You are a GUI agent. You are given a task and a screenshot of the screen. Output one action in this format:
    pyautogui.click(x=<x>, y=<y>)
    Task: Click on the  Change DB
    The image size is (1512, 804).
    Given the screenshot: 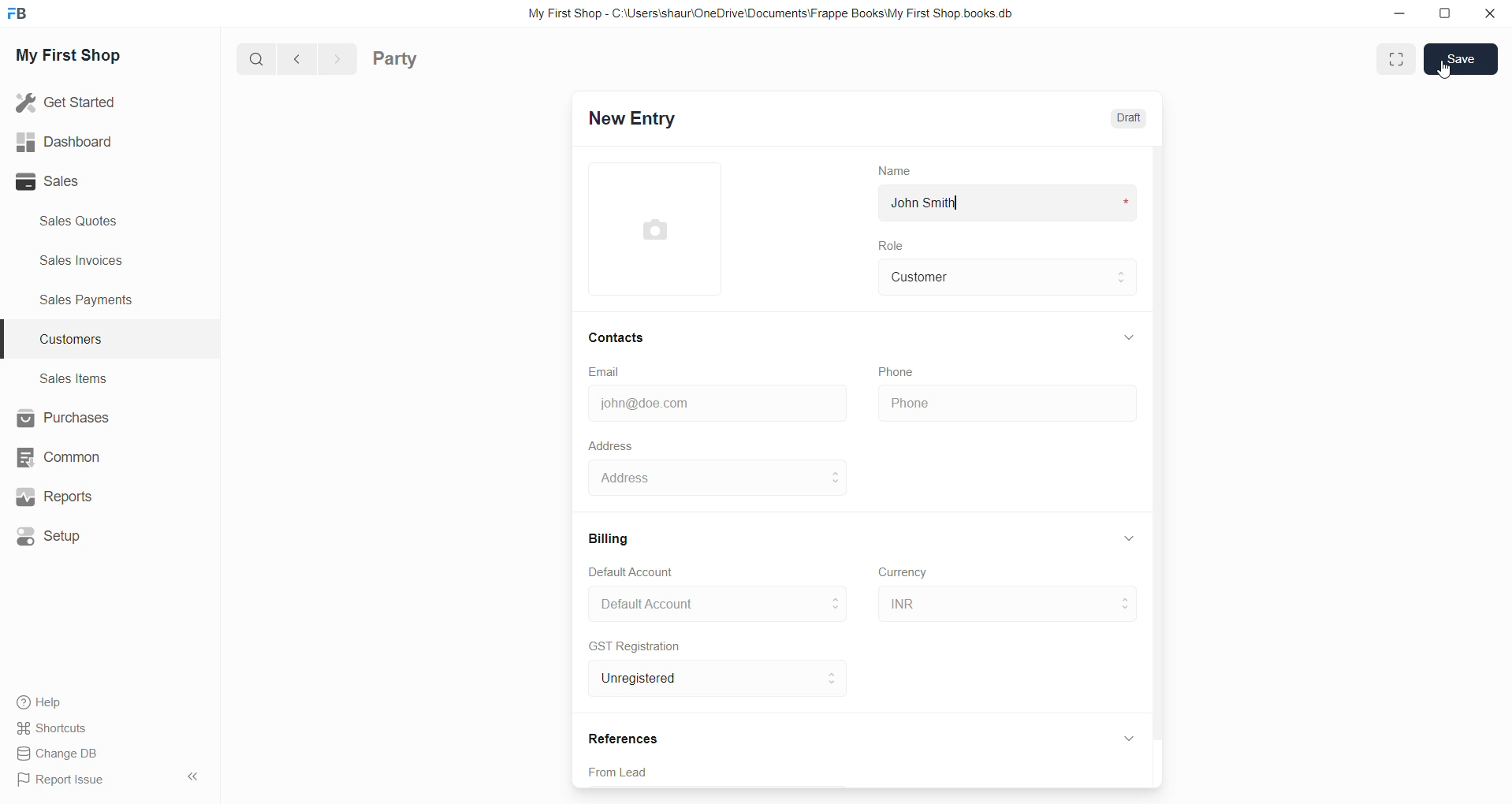 What is the action you would take?
    pyautogui.click(x=61, y=753)
    